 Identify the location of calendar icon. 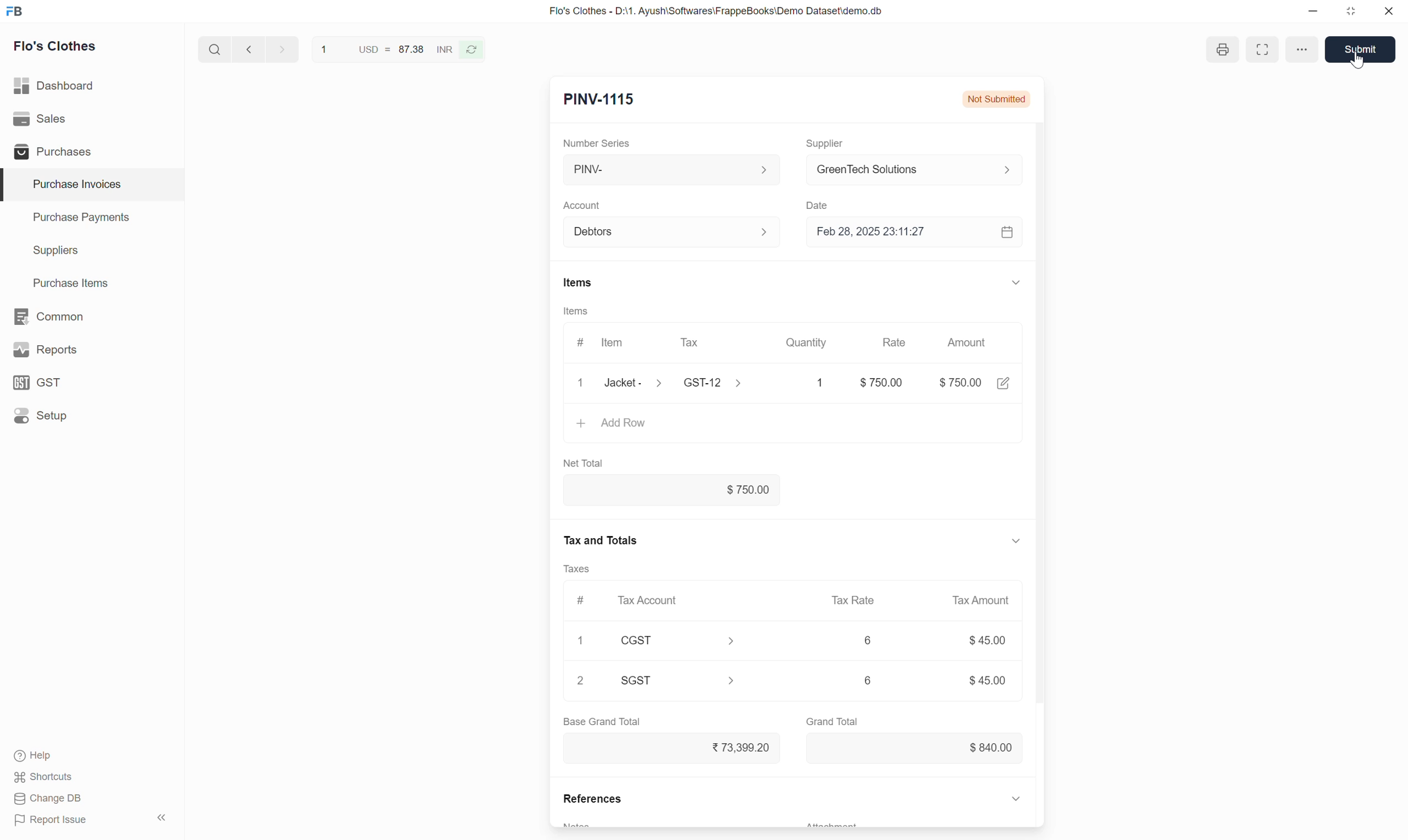
(1009, 232).